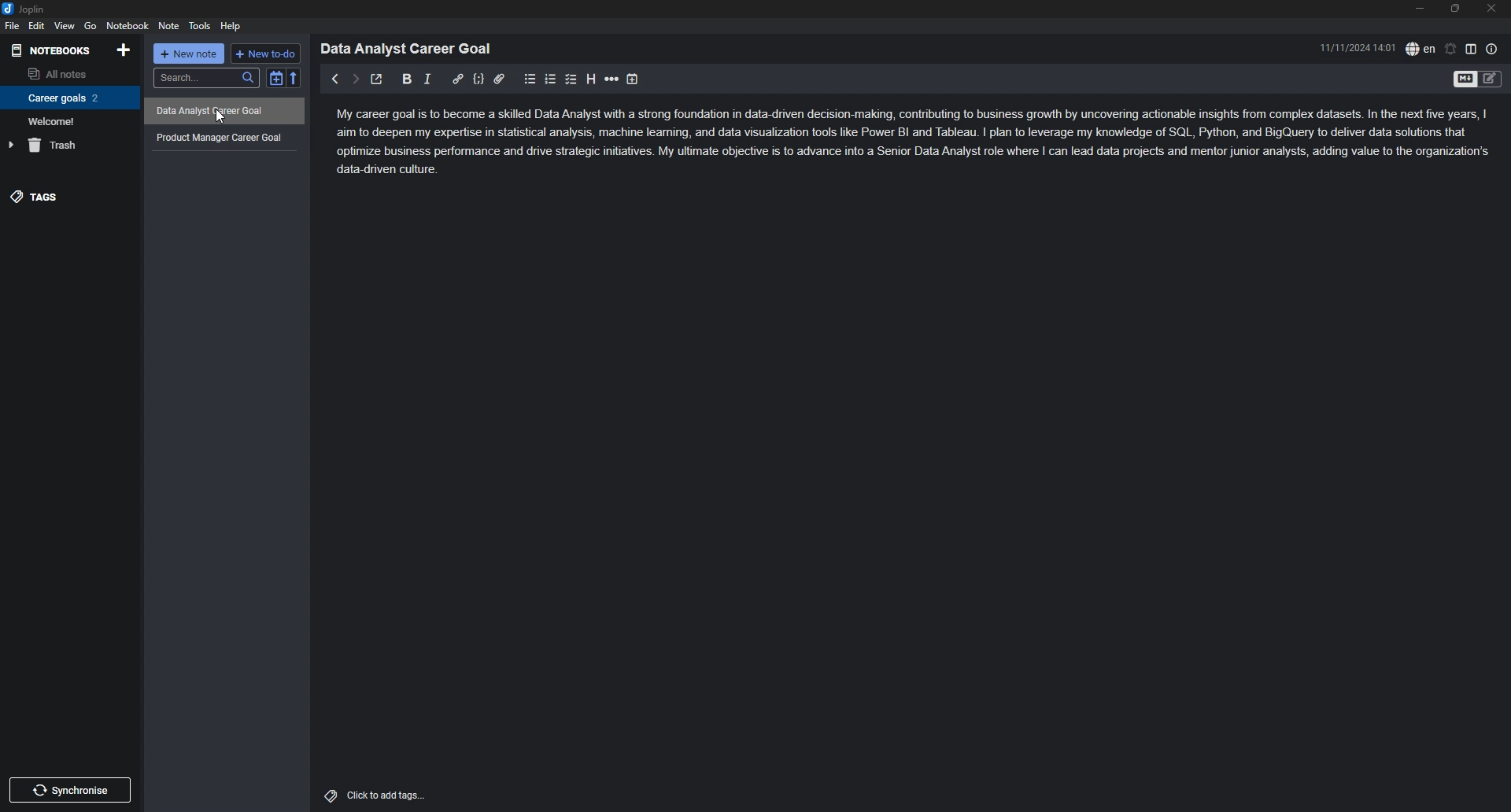  Describe the element at coordinates (1492, 49) in the screenshot. I see `note properties` at that location.